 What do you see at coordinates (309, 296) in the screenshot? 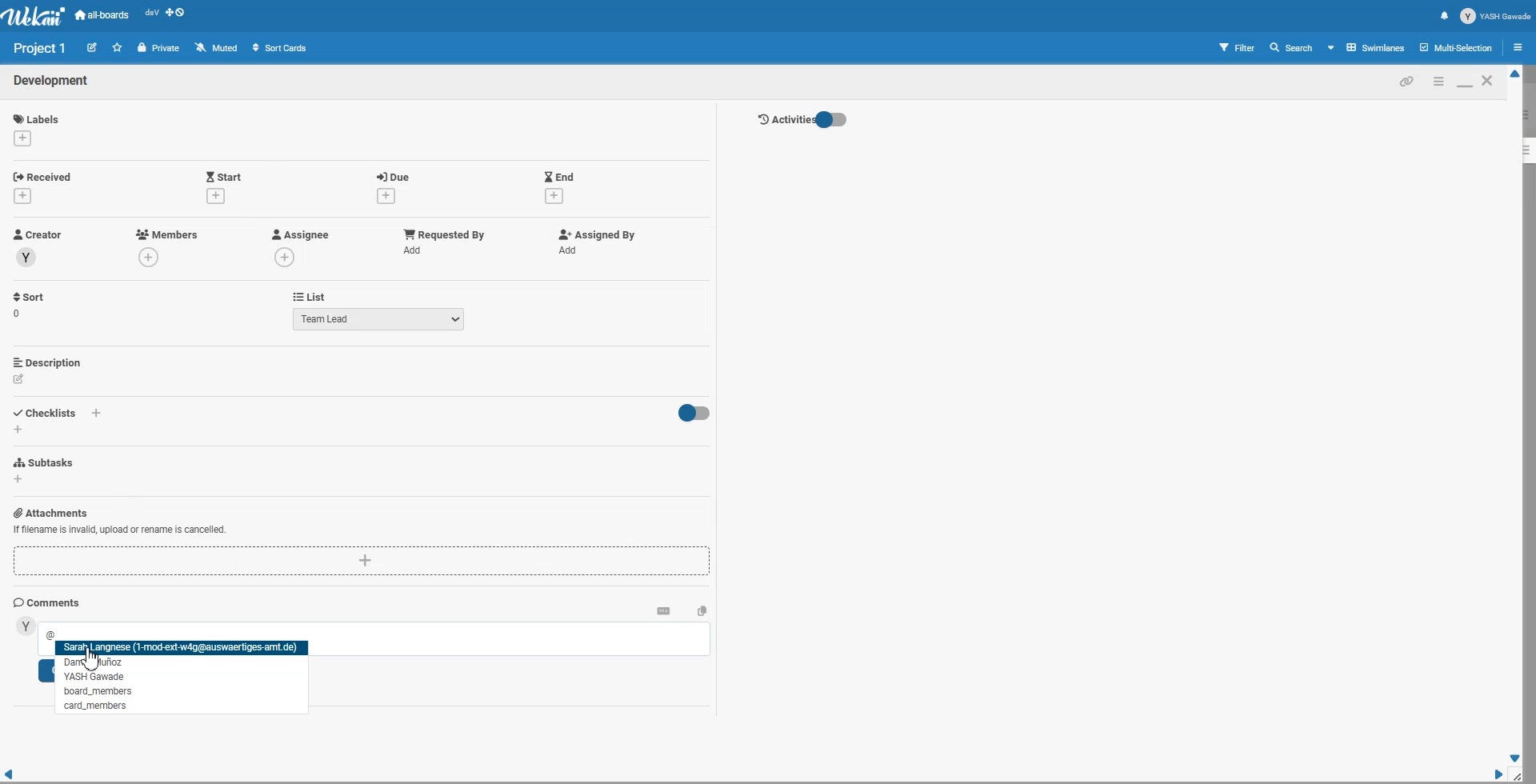
I see `List` at bounding box center [309, 296].